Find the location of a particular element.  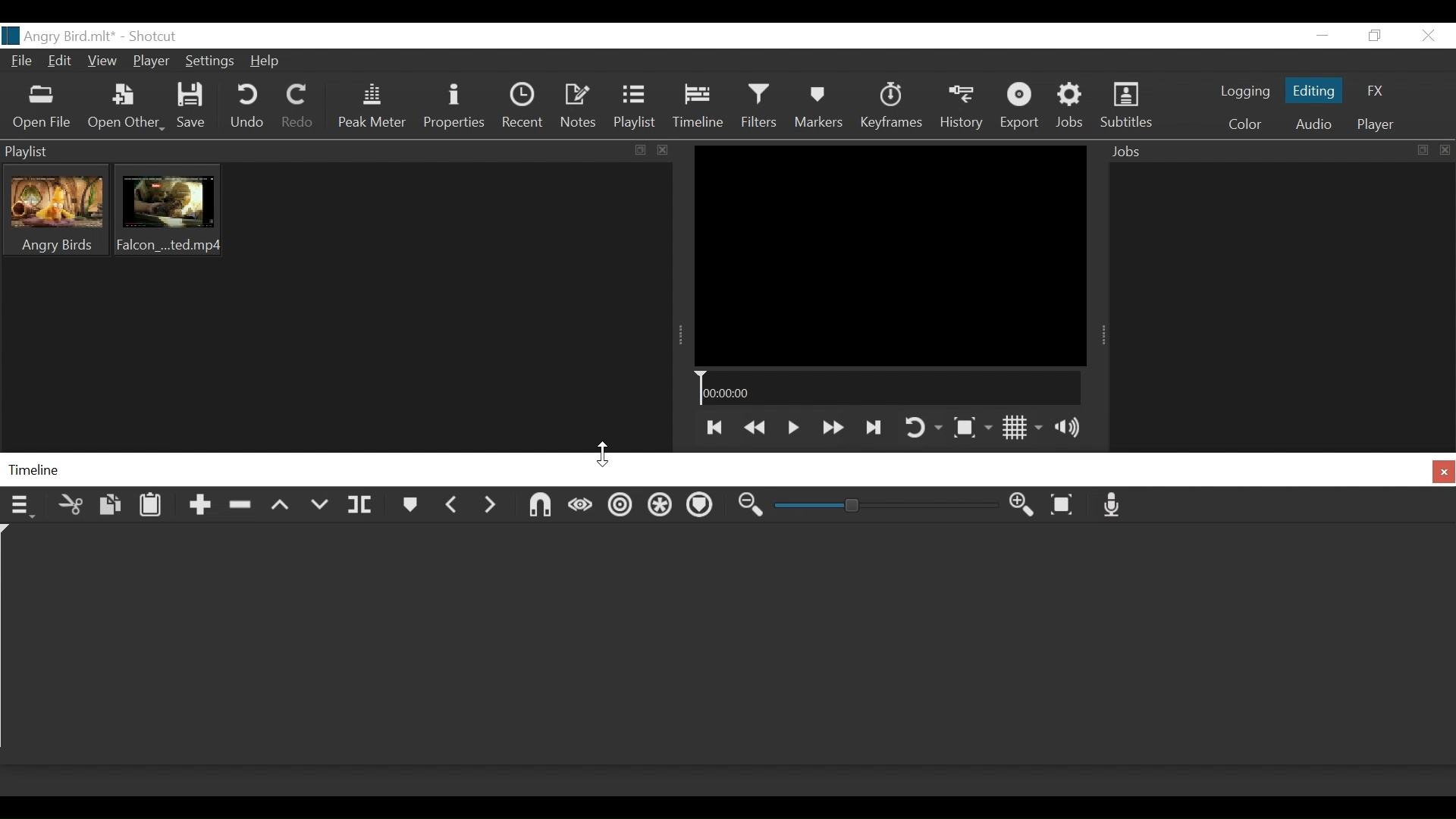

Skip to the next point is located at coordinates (874, 426).